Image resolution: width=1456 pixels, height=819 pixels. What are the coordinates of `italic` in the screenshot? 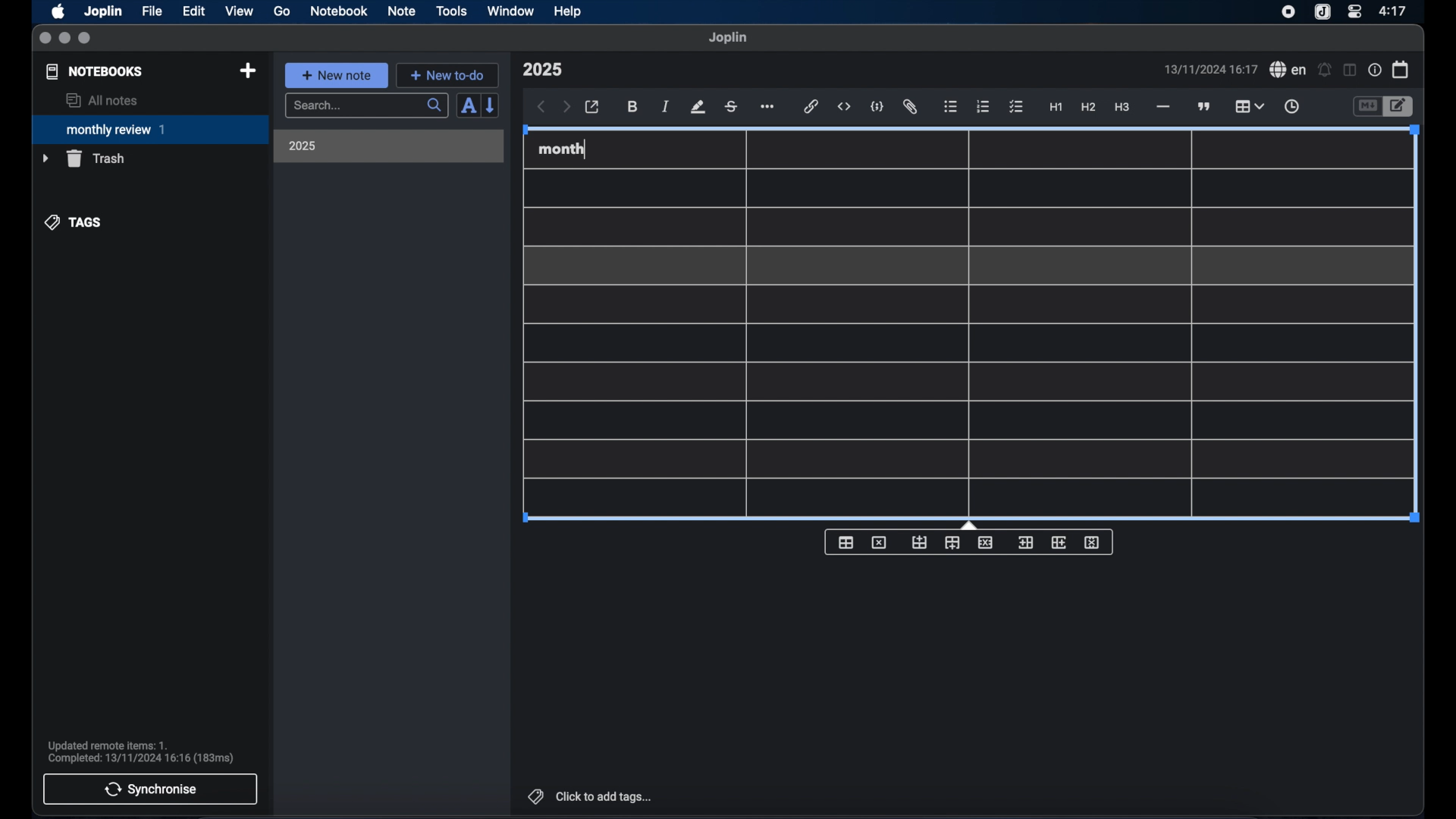 It's located at (666, 106).